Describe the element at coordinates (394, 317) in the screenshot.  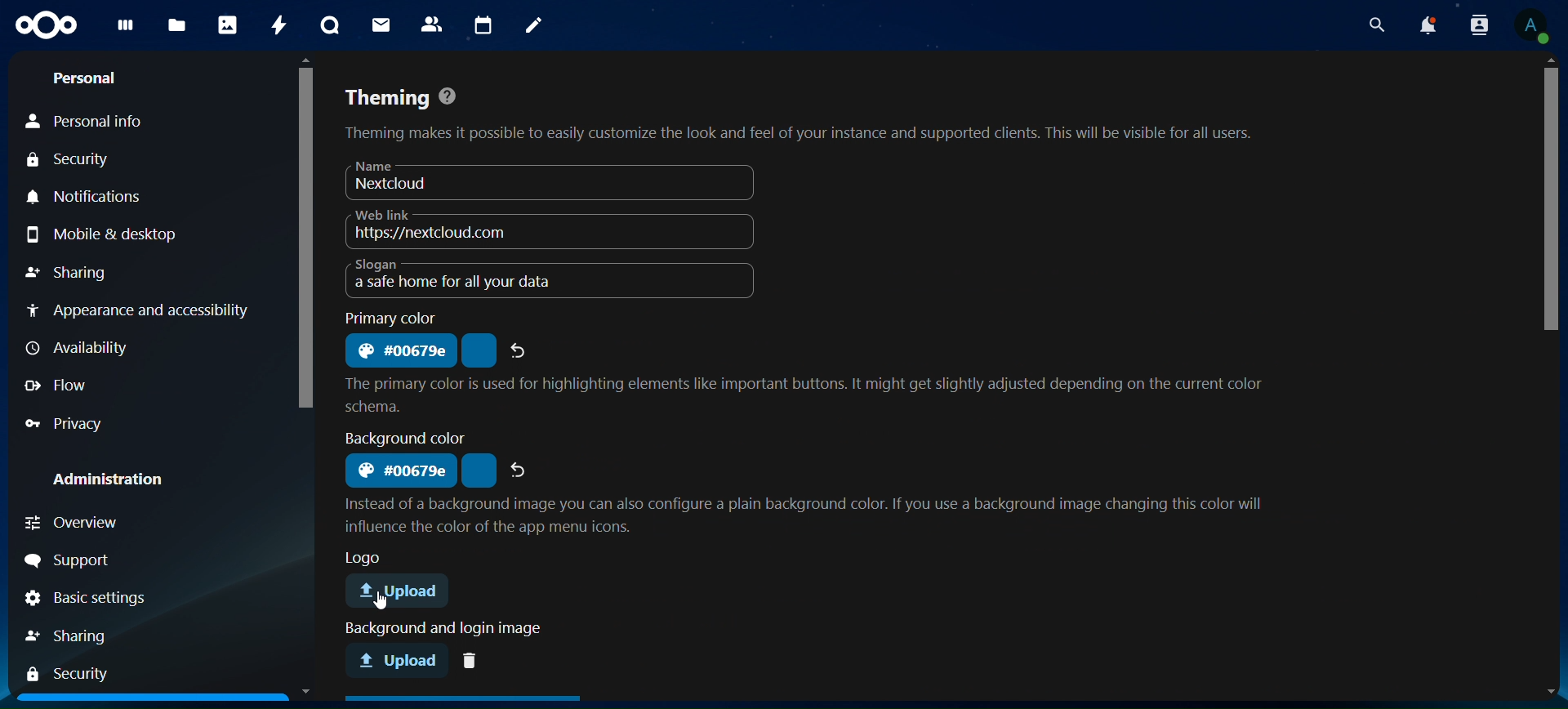
I see `Primarv color` at that location.